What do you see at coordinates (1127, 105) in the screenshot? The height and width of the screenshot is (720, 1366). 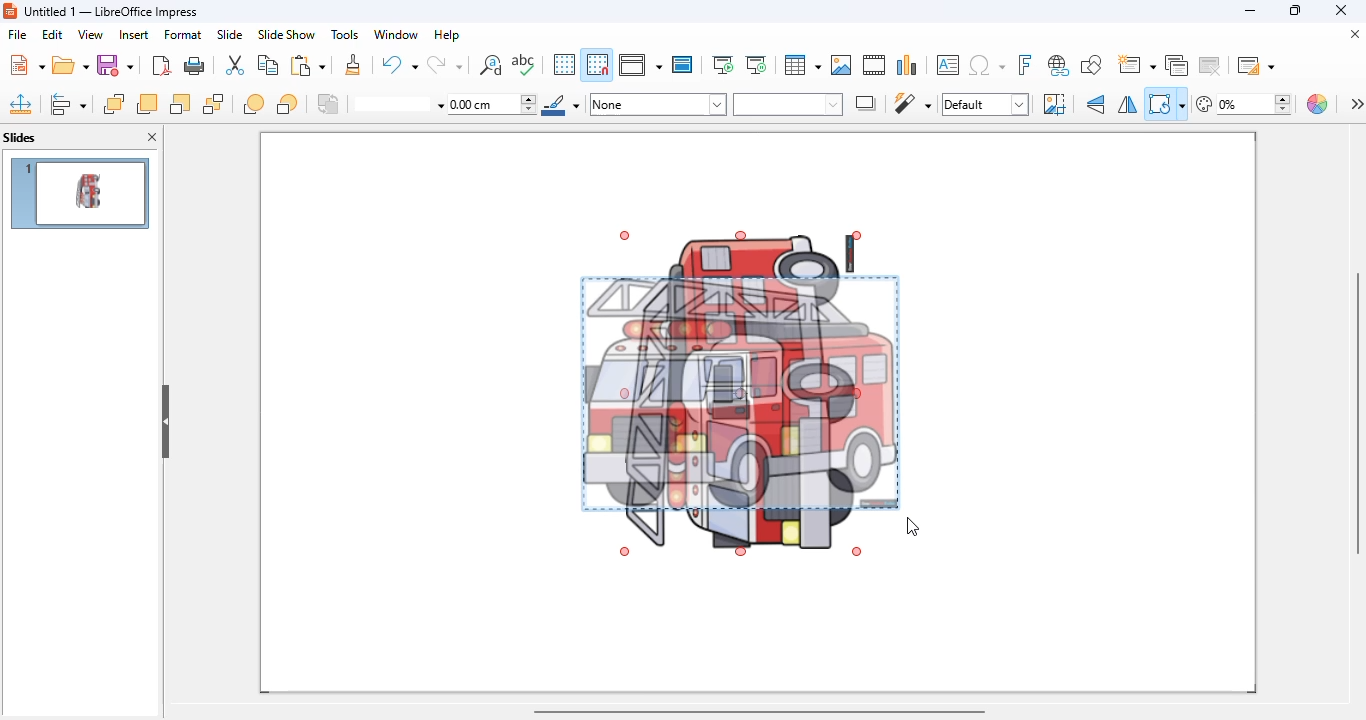 I see `horizontally` at bounding box center [1127, 105].